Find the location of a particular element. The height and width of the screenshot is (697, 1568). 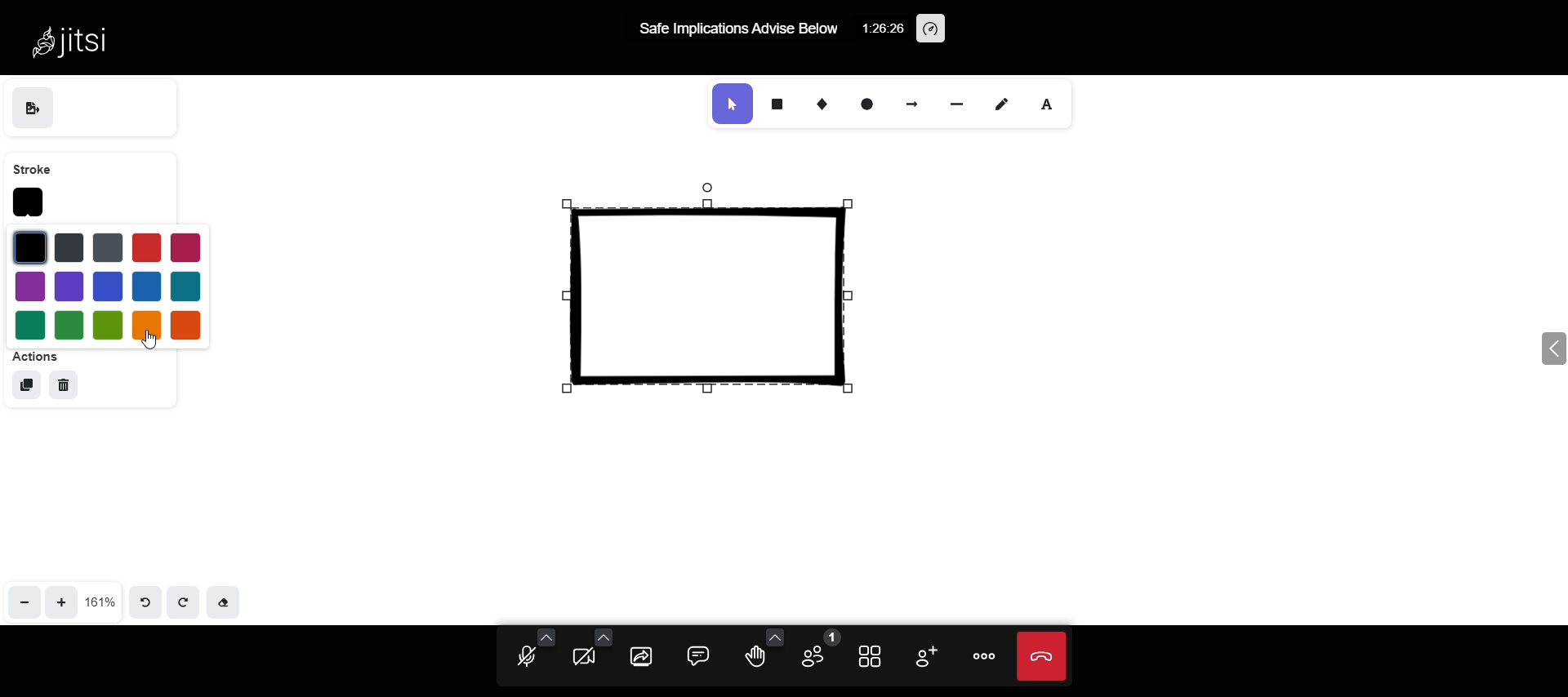

selection is located at coordinates (731, 102).